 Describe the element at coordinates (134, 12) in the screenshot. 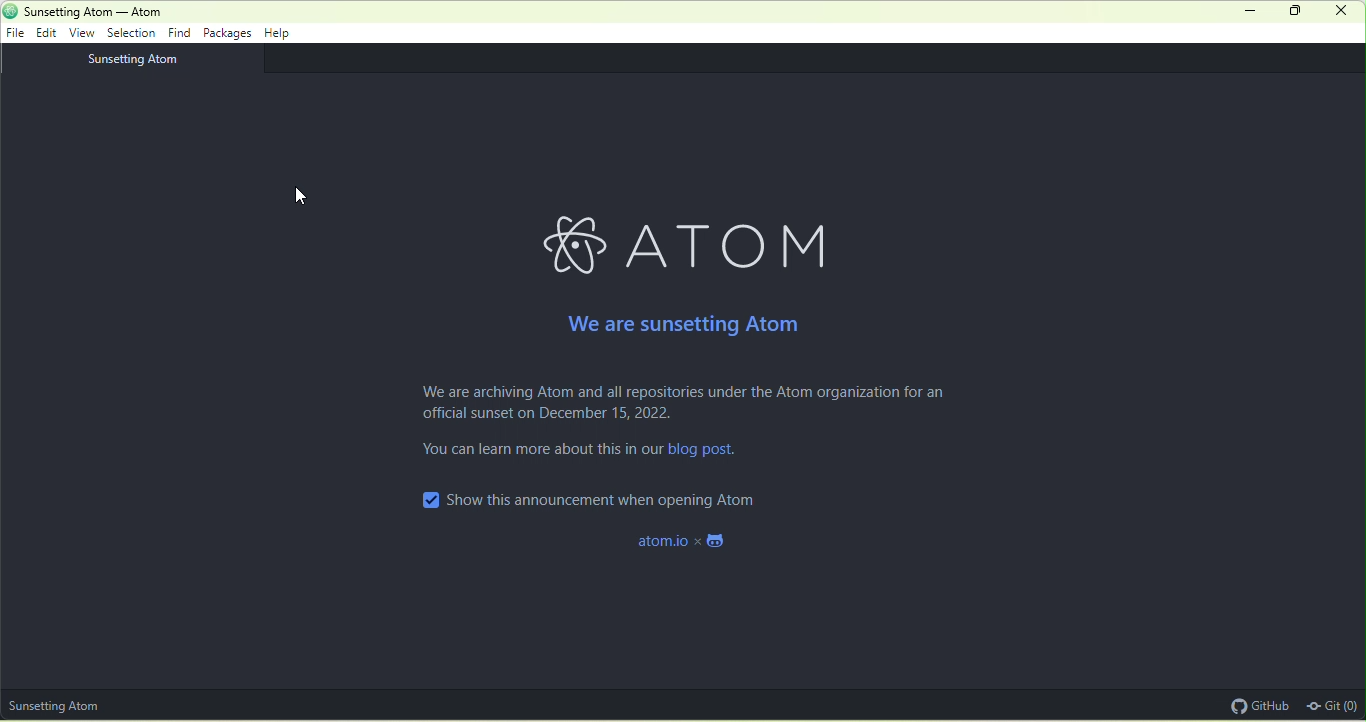

I see `sunsetting atom-atom` at that location.